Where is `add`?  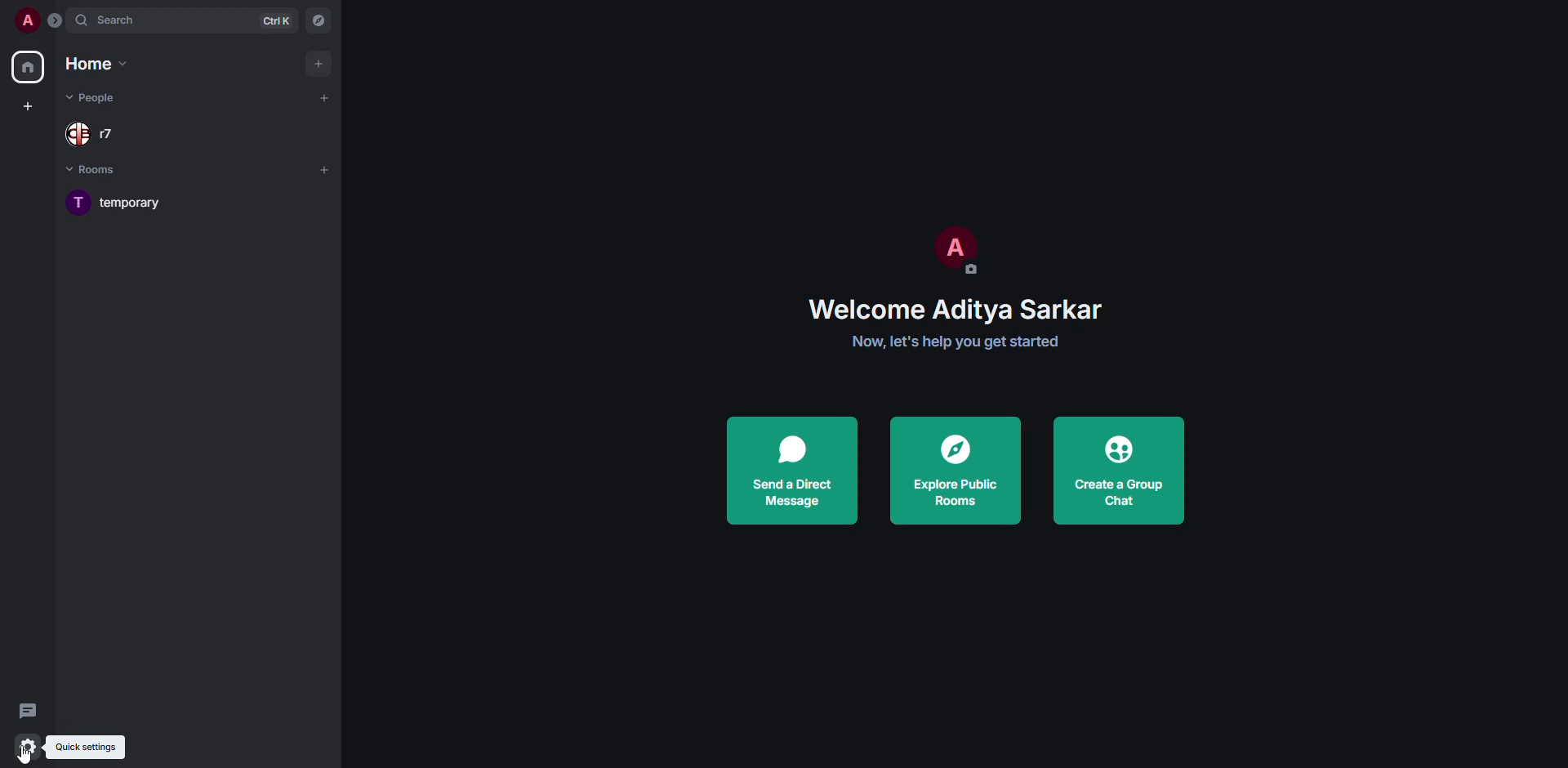 add is located at coordinates (325, 97).